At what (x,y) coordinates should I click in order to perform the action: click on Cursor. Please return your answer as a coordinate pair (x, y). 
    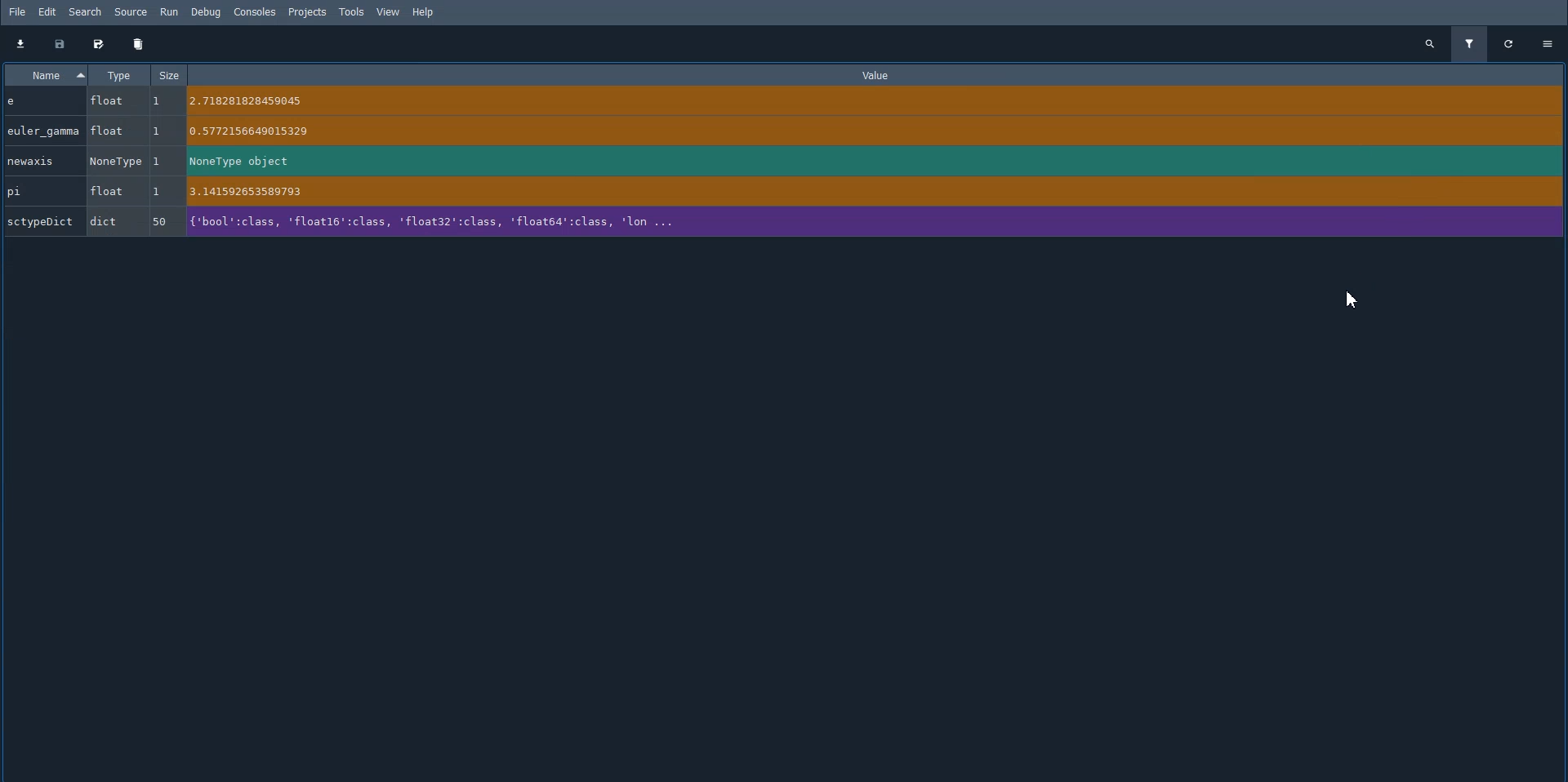
    Looking at the image, I should click on (1352, 300).